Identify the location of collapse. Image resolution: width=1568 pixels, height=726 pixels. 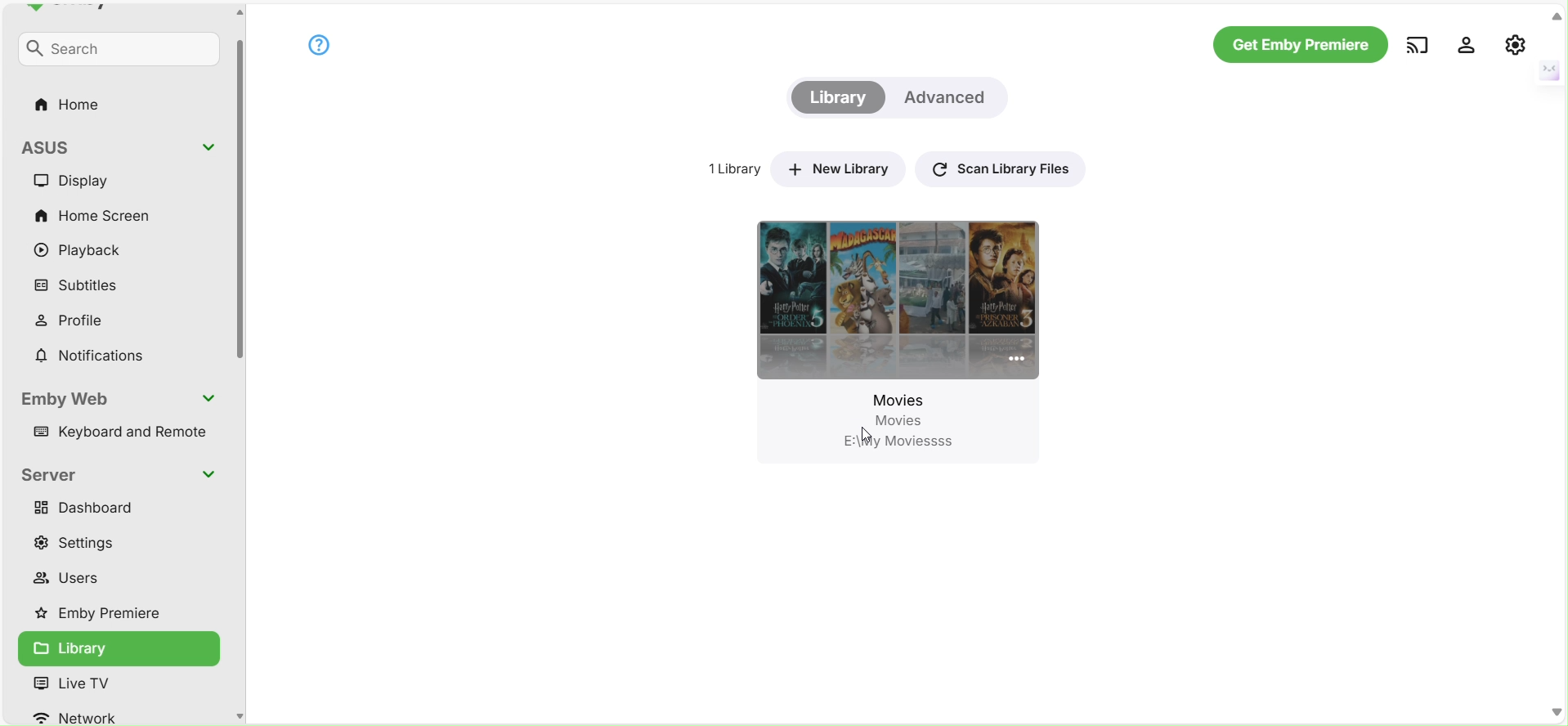
(1557, 16).